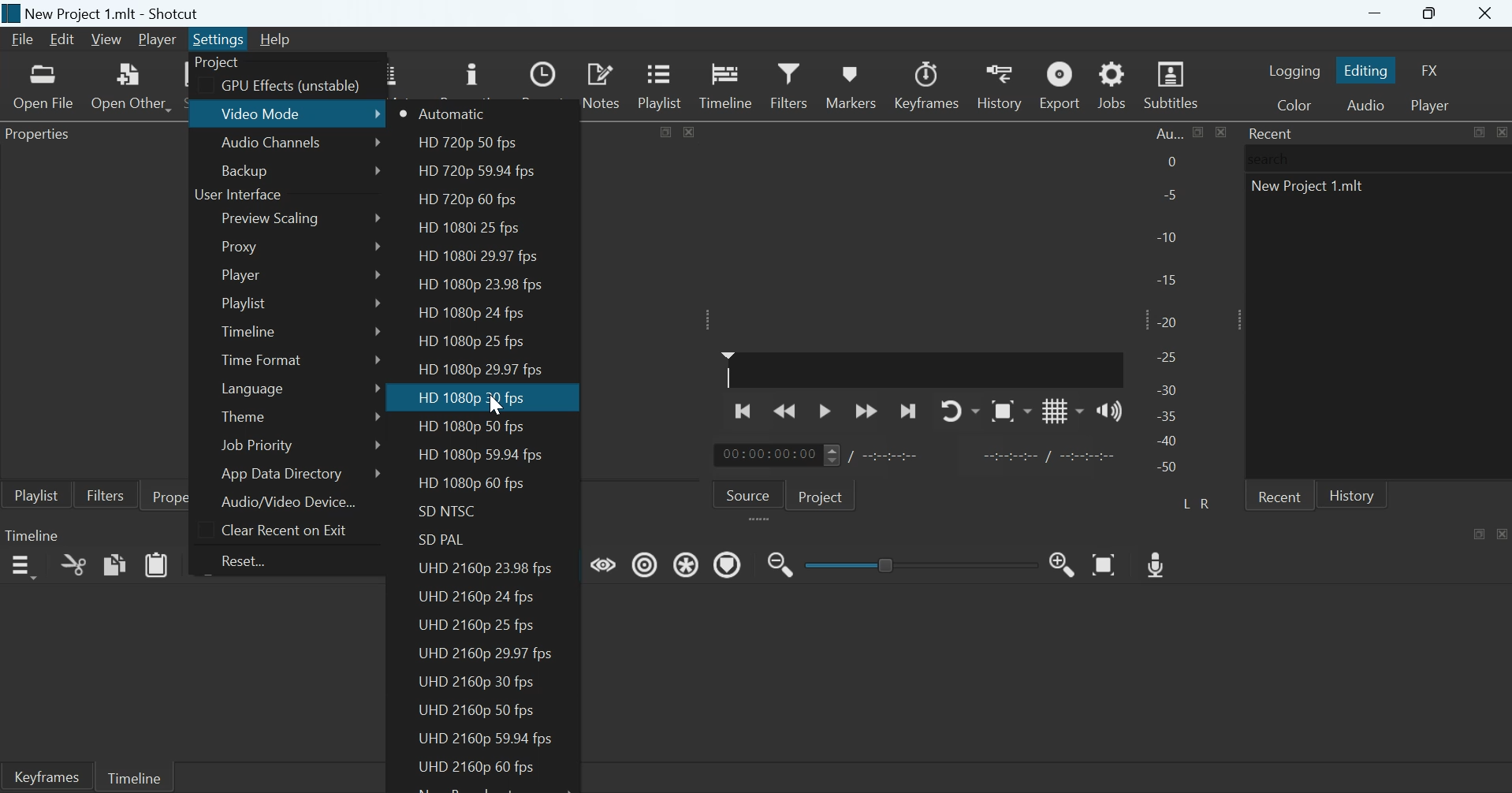 The width and height of the screenshot is (1512, 793). I want to click on Recent, so click(1272, 133).